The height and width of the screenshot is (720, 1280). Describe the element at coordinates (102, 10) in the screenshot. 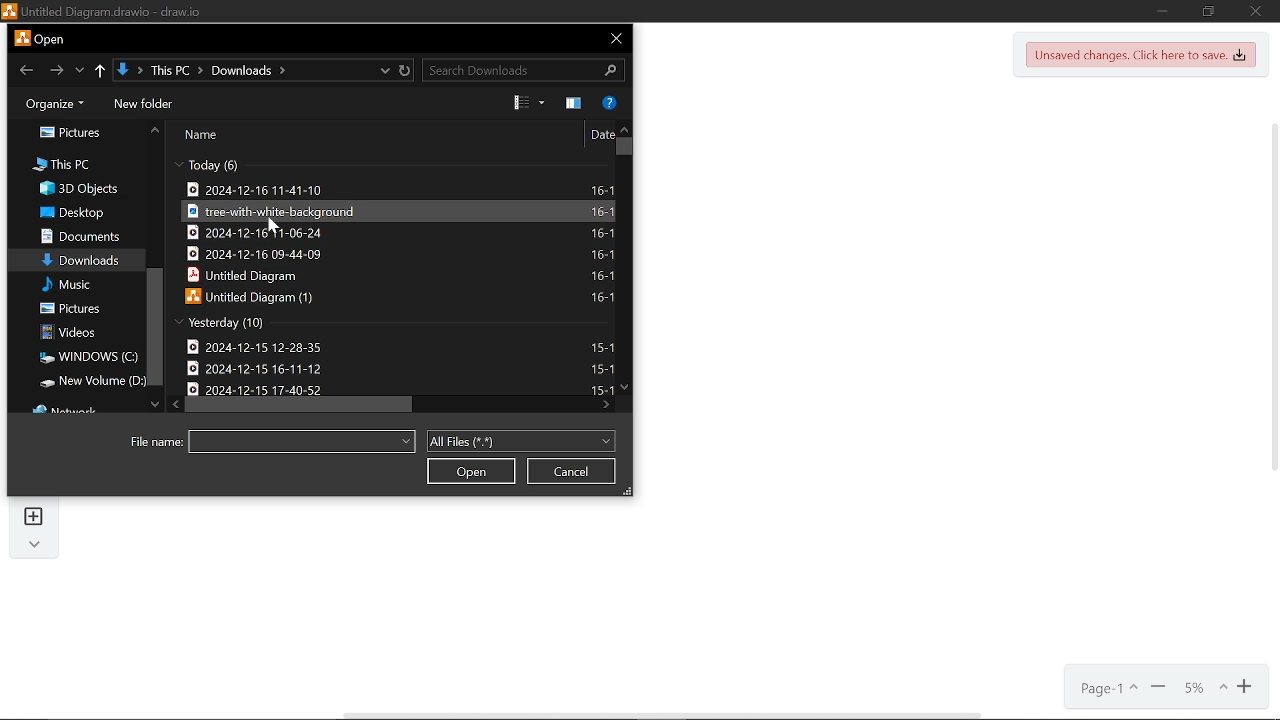

I see `current window "Untitled diagram draw.io"` at that location.